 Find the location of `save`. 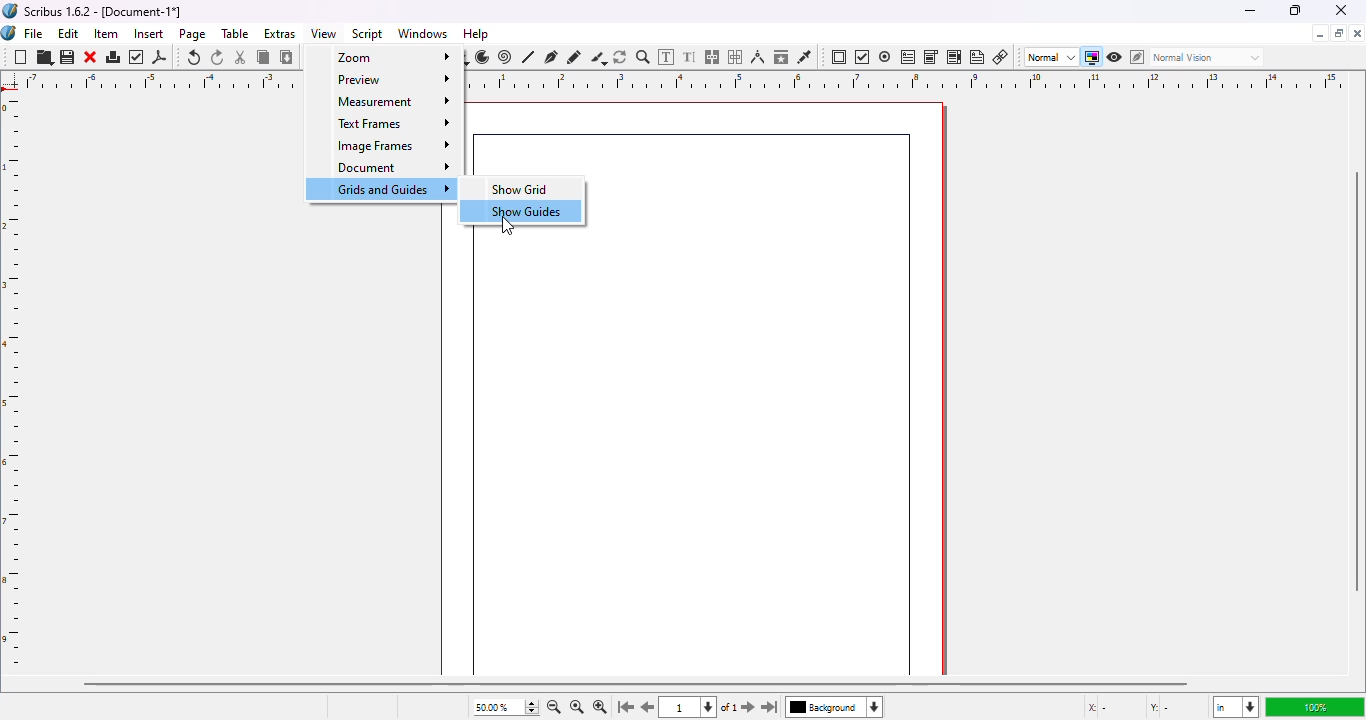

save is located at coordinates (68, 58).